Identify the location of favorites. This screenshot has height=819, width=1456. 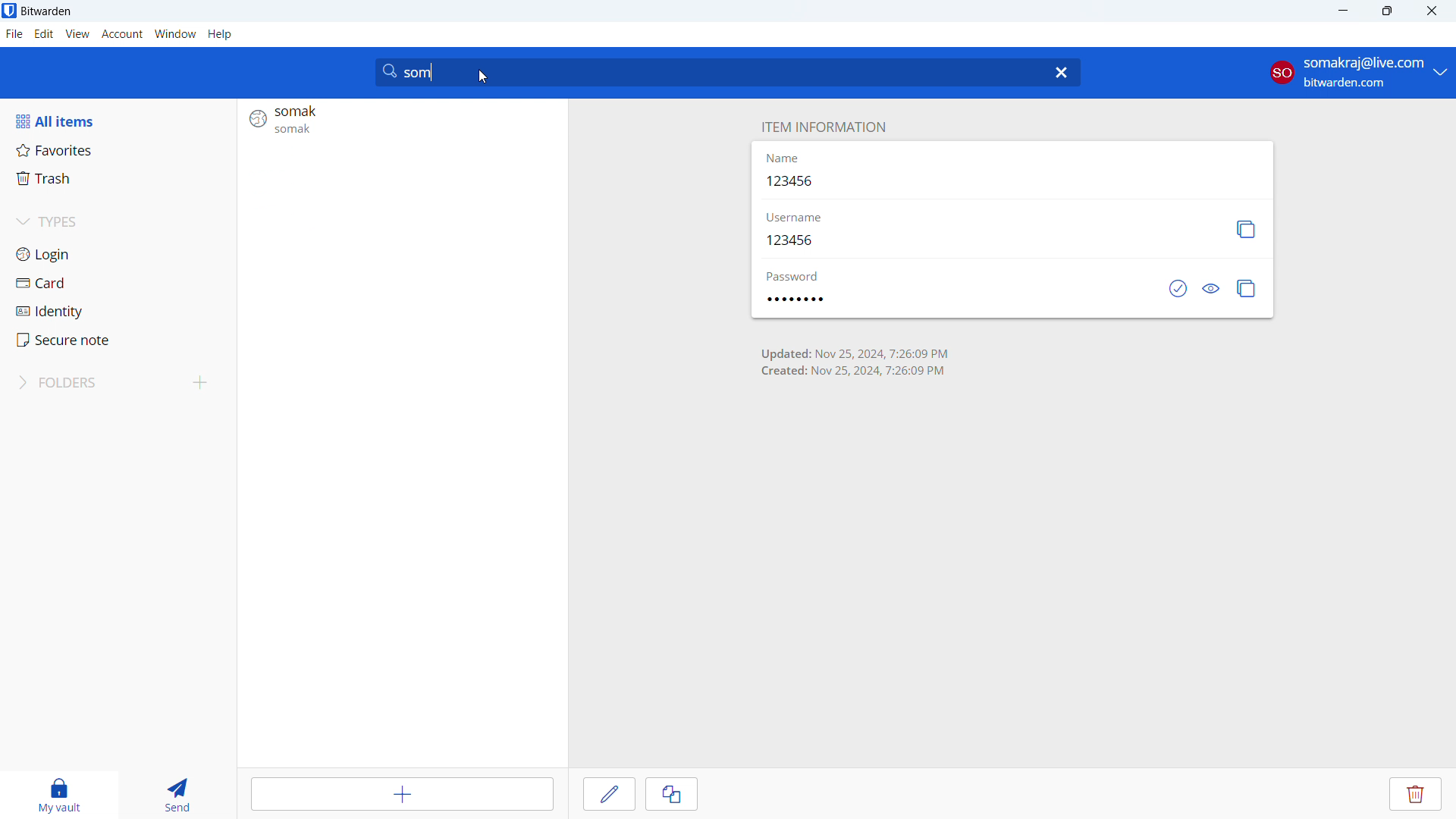
(115, 149).